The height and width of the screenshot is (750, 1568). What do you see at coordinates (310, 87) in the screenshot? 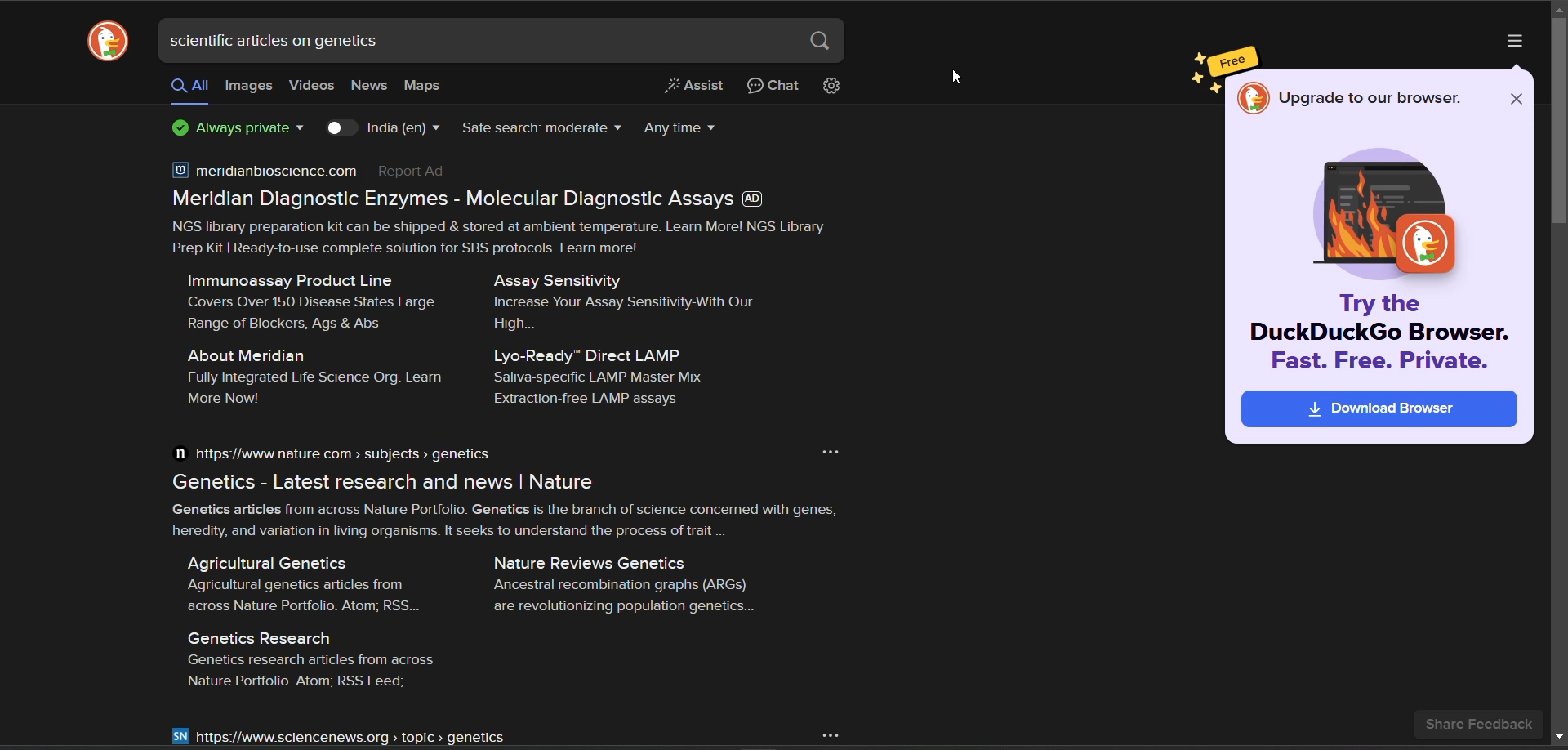
I see `videos` at bounding box center [310, 87].